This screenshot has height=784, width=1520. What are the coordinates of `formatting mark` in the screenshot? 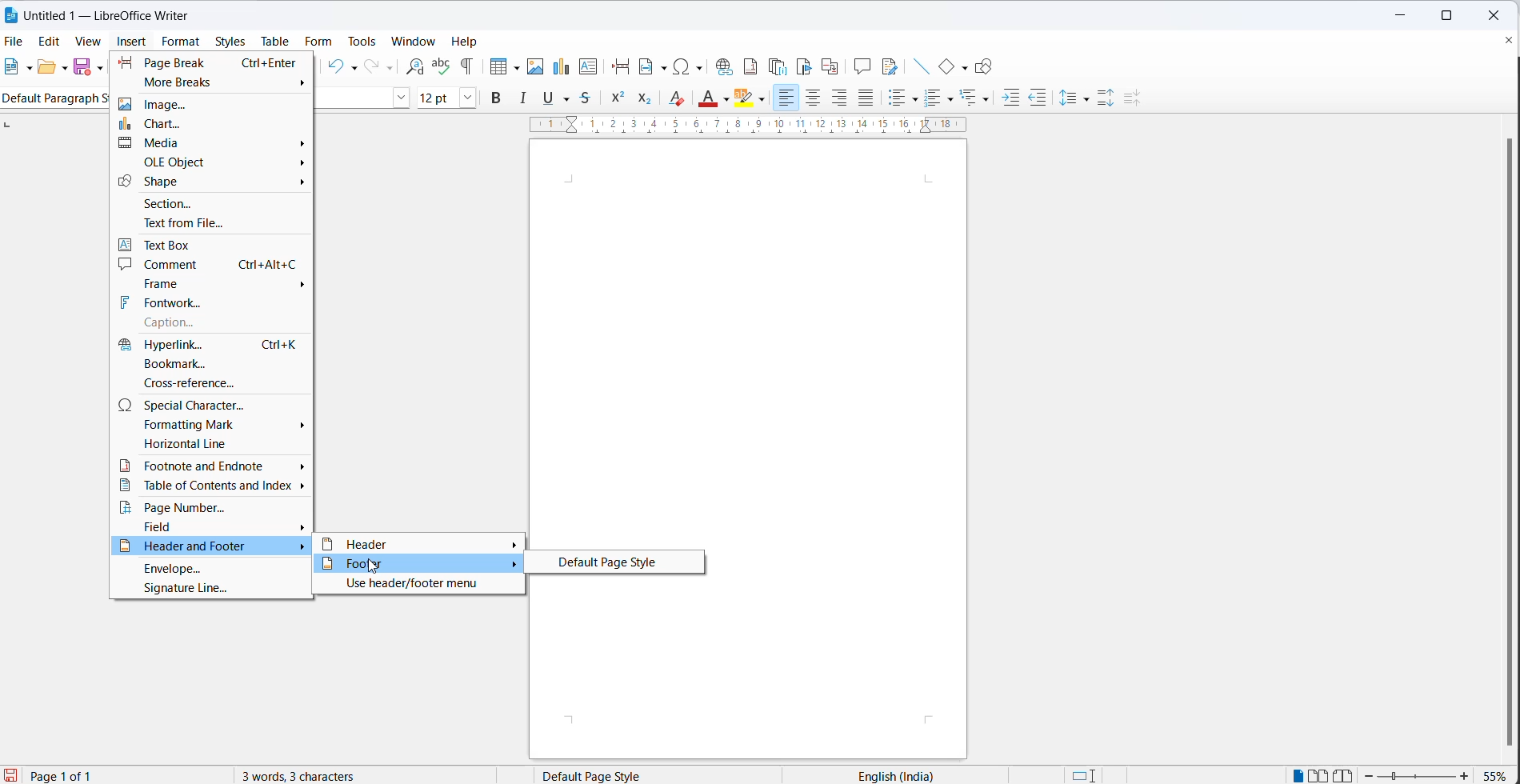 It's located at (209, 426).